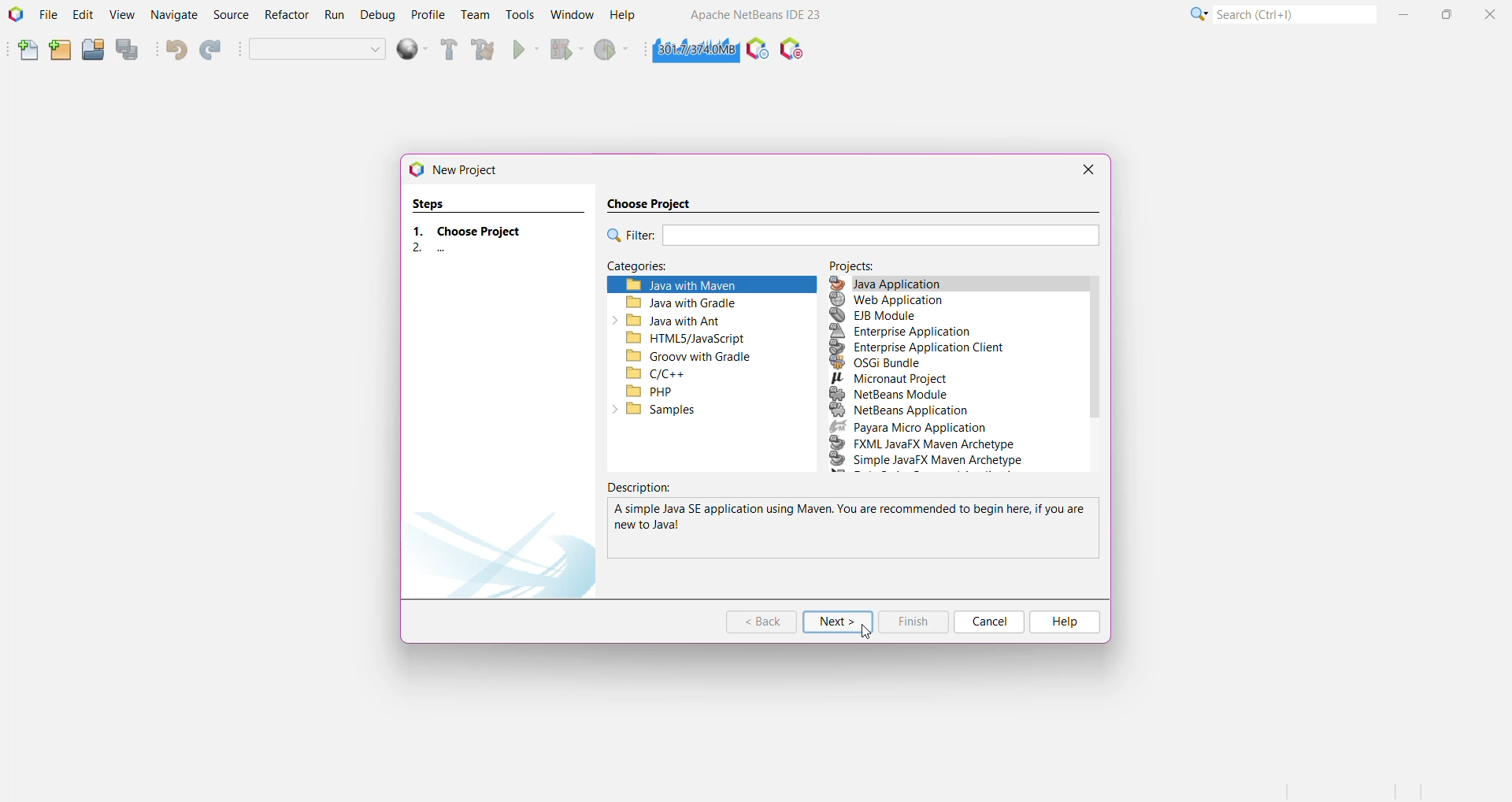 This screenshot has width=1512, height=802. I want to click on deploy, so click(410, 50).